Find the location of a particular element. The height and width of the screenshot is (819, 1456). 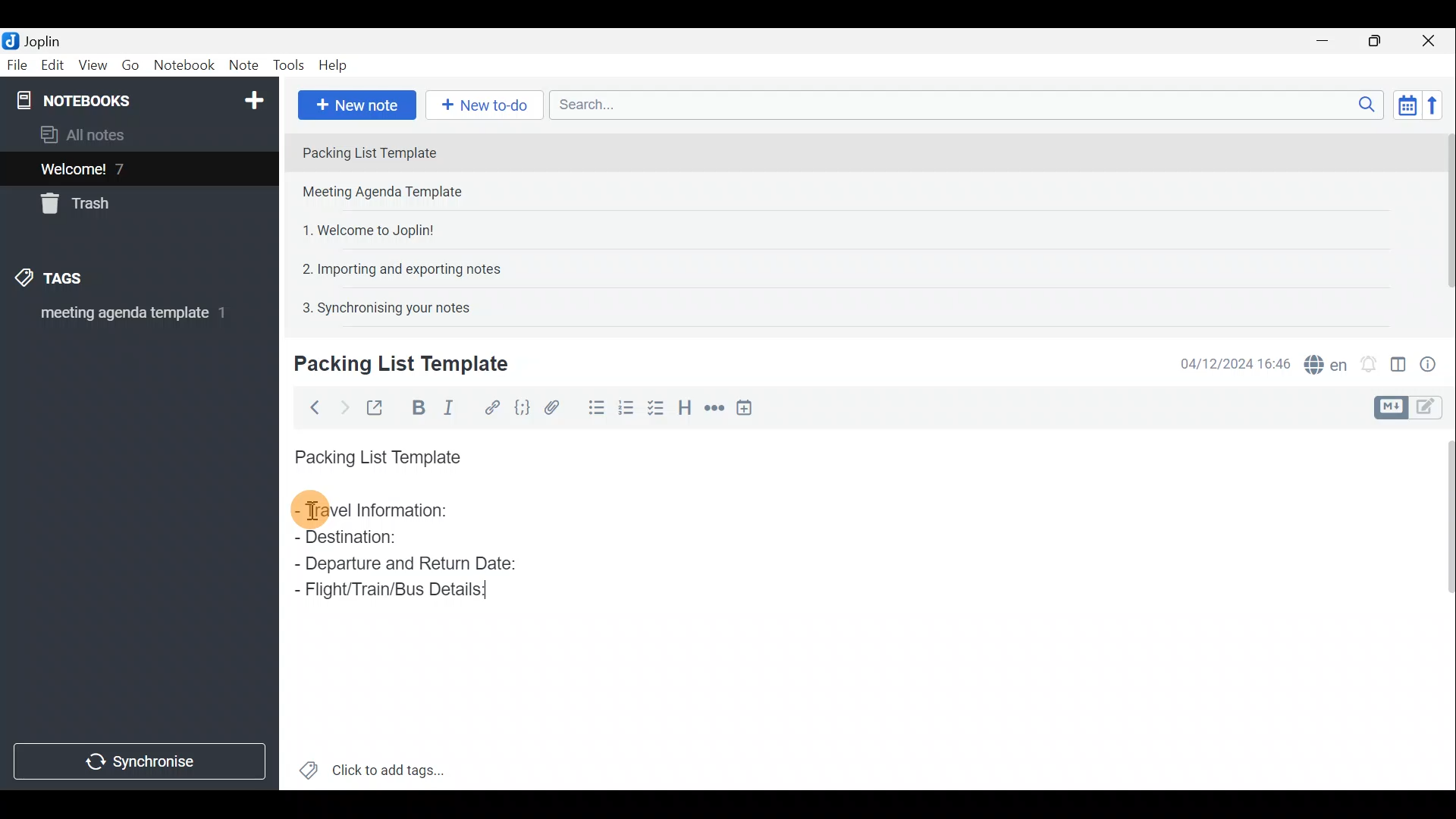

Heading is located at coordinates (686, 406).